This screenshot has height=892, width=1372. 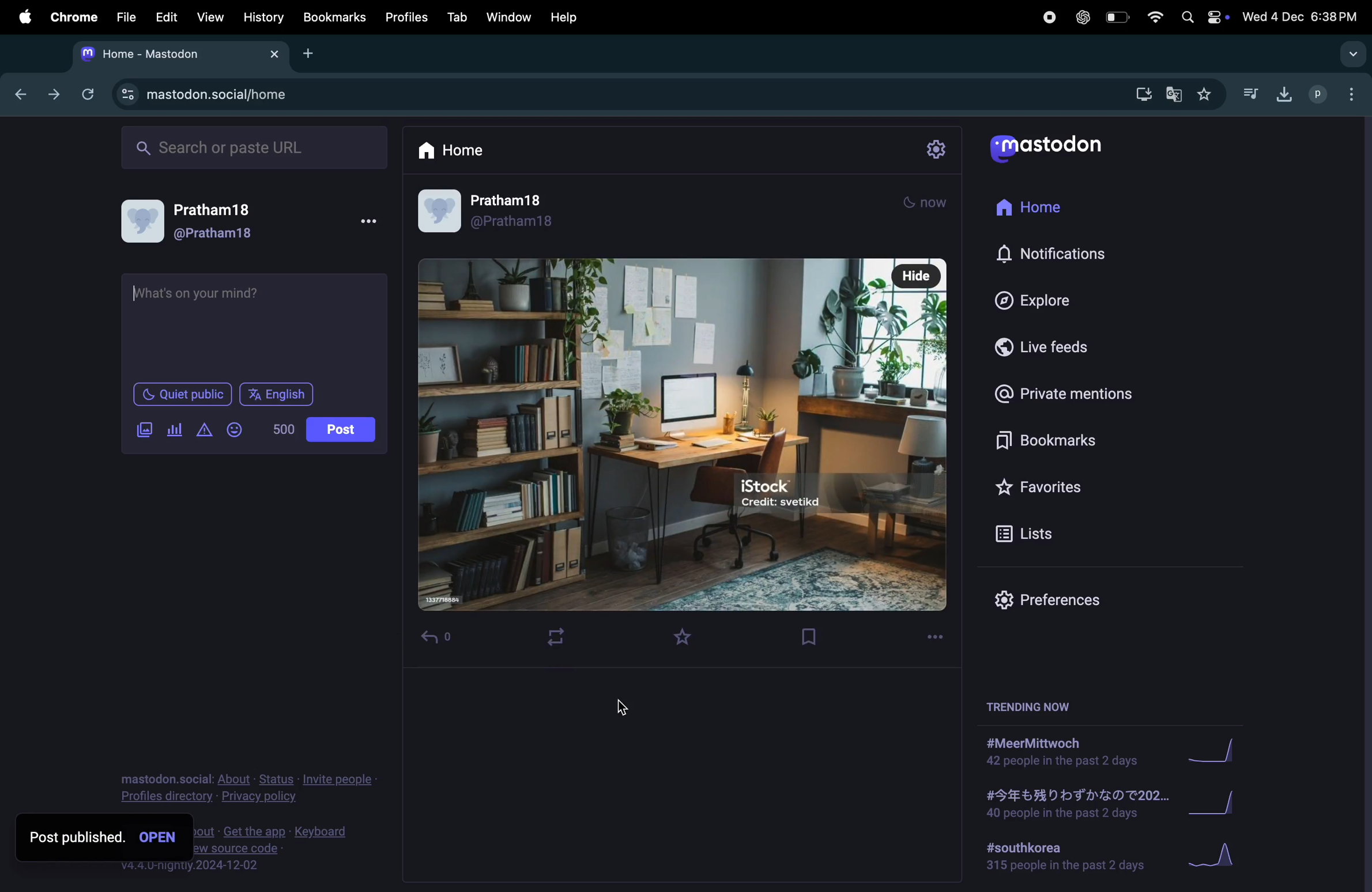 I want to click on add image, so click(x=141, y=433).